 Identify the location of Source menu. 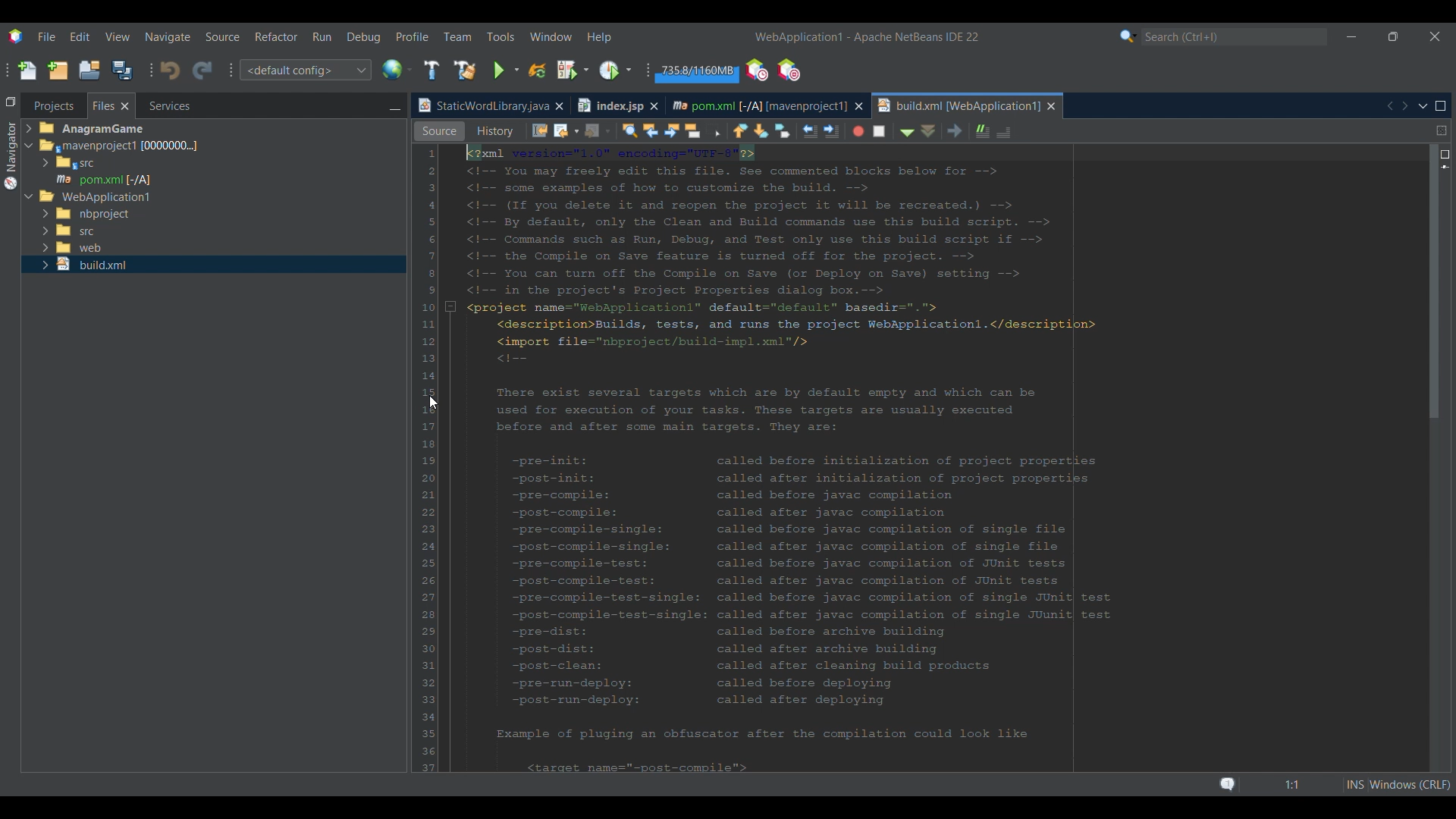
(223, 37).